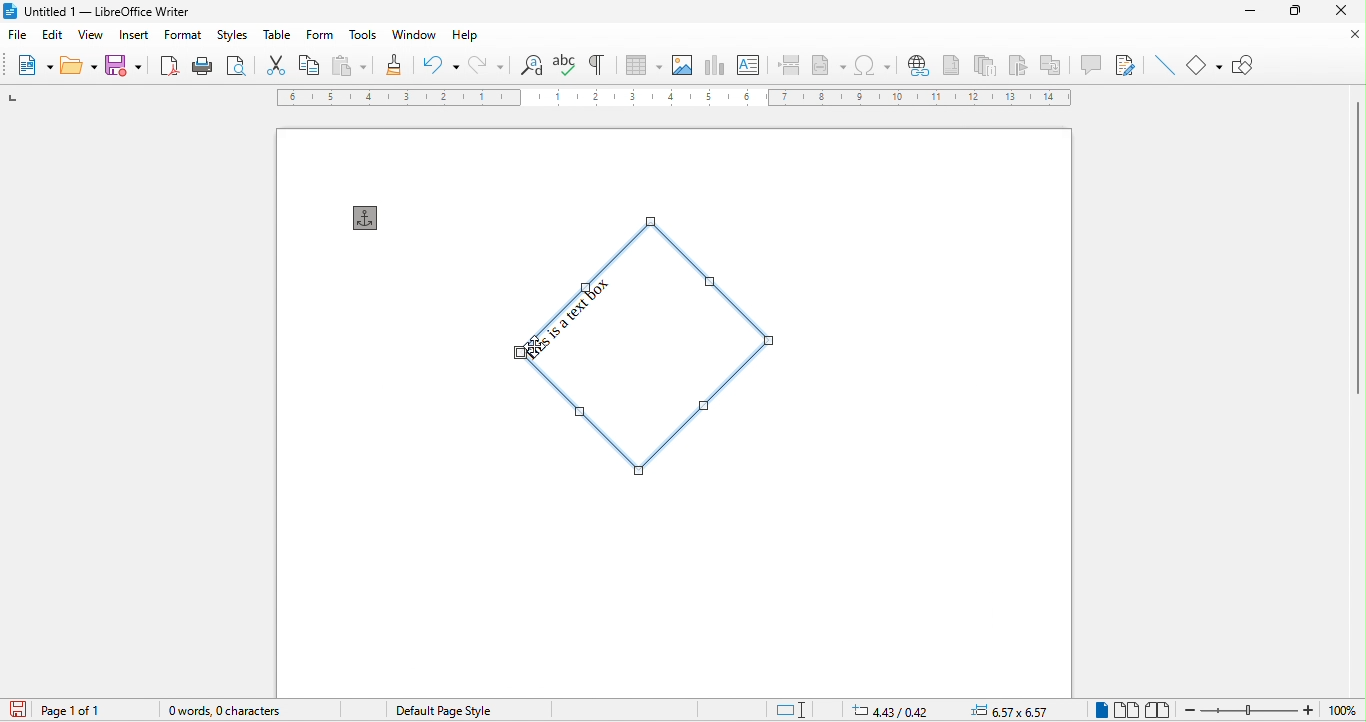 The height and width of the screenshot is (722, 1366). Describe the element at coordinates (415, 35) in the screenshot. I see `window` at that location.